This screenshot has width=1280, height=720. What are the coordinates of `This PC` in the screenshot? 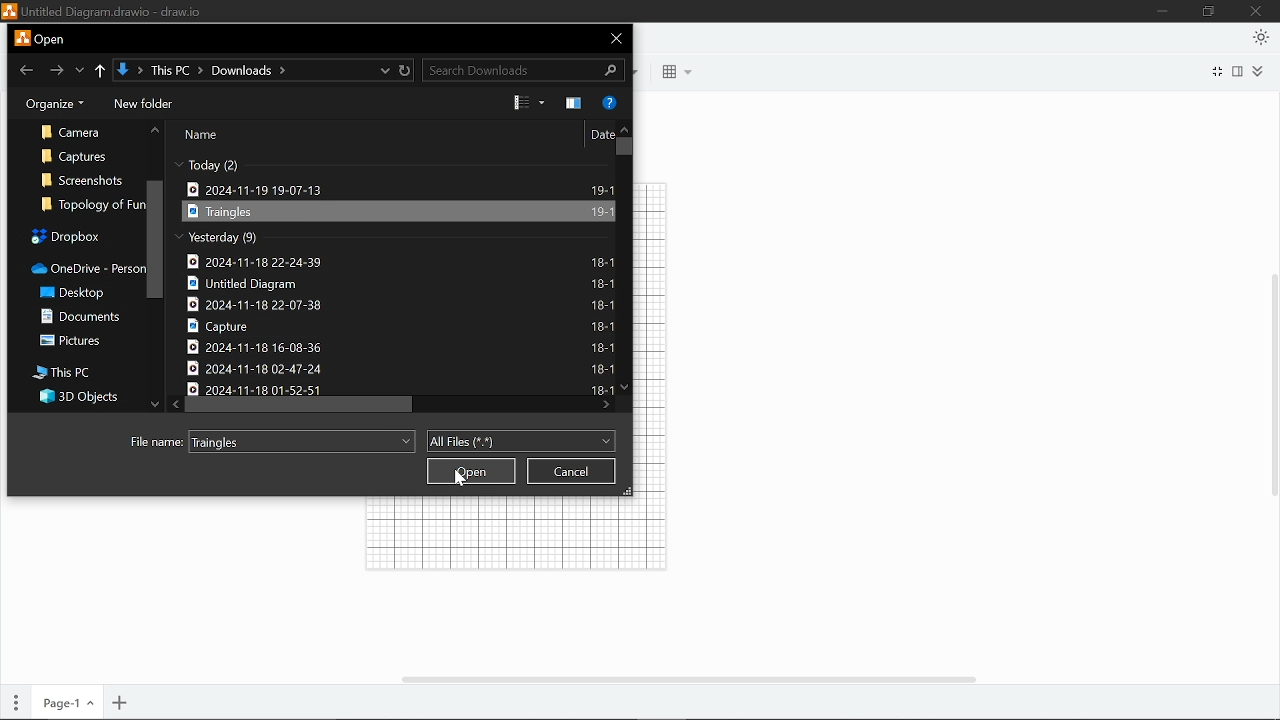 It's located at (63, 373).